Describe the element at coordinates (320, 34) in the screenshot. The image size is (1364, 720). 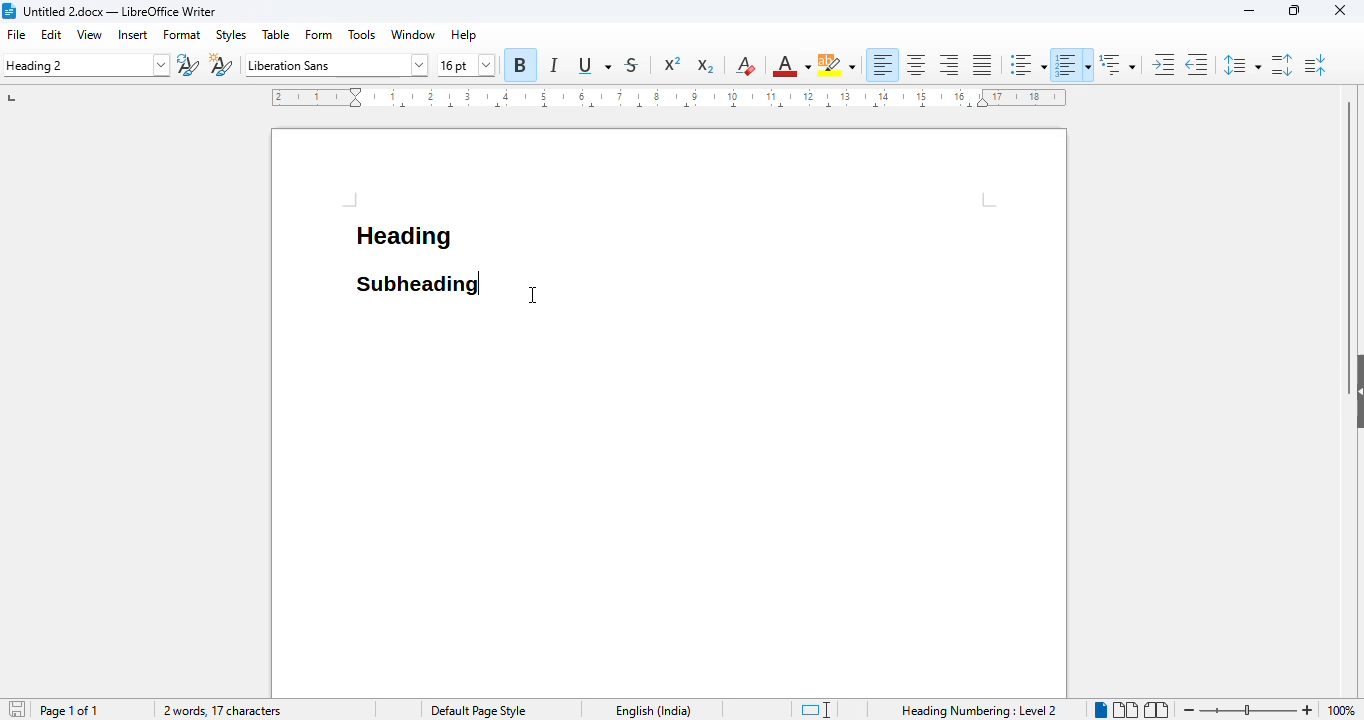
I see `form` at that location.